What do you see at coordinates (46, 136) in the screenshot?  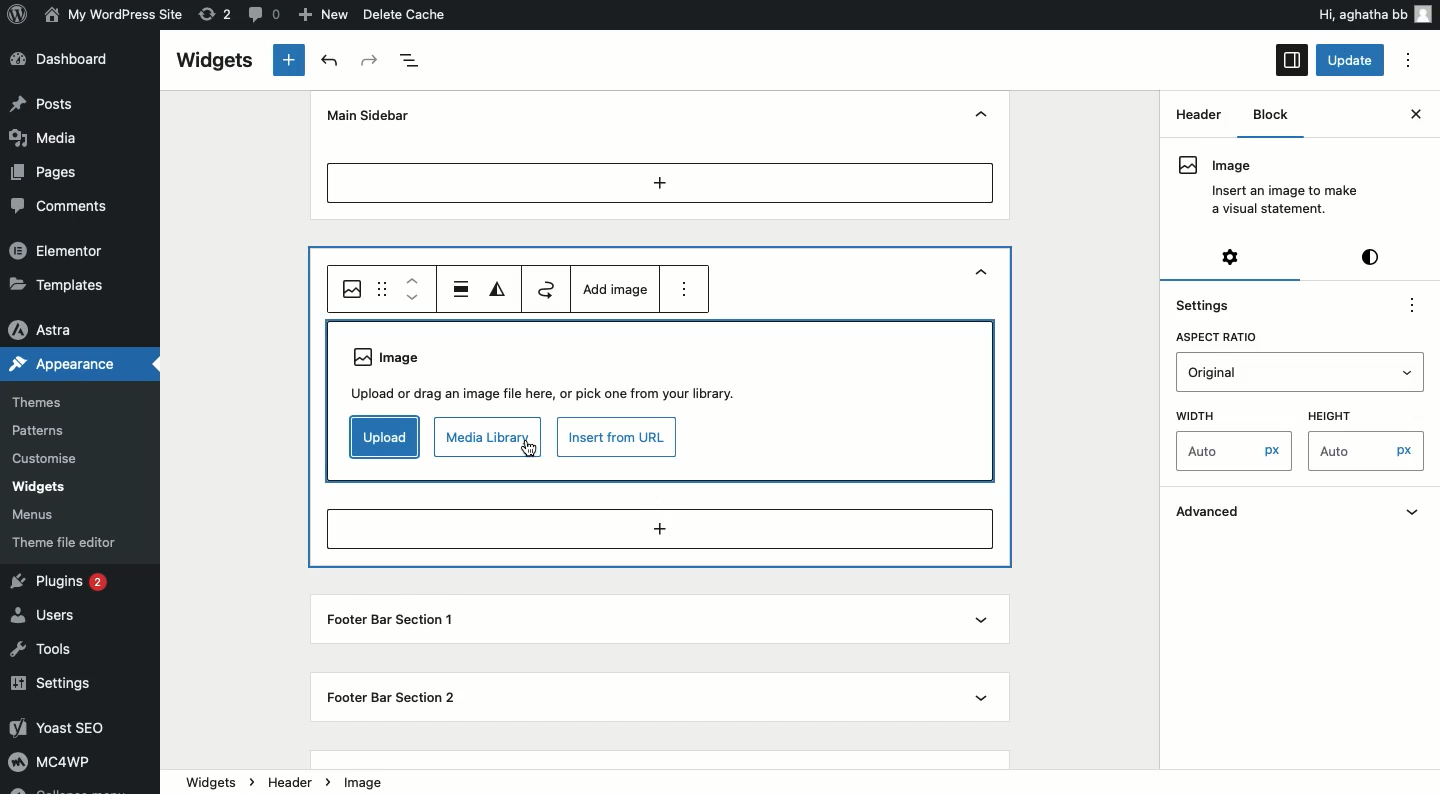 I see `Media` at bounding box center [46, 136].